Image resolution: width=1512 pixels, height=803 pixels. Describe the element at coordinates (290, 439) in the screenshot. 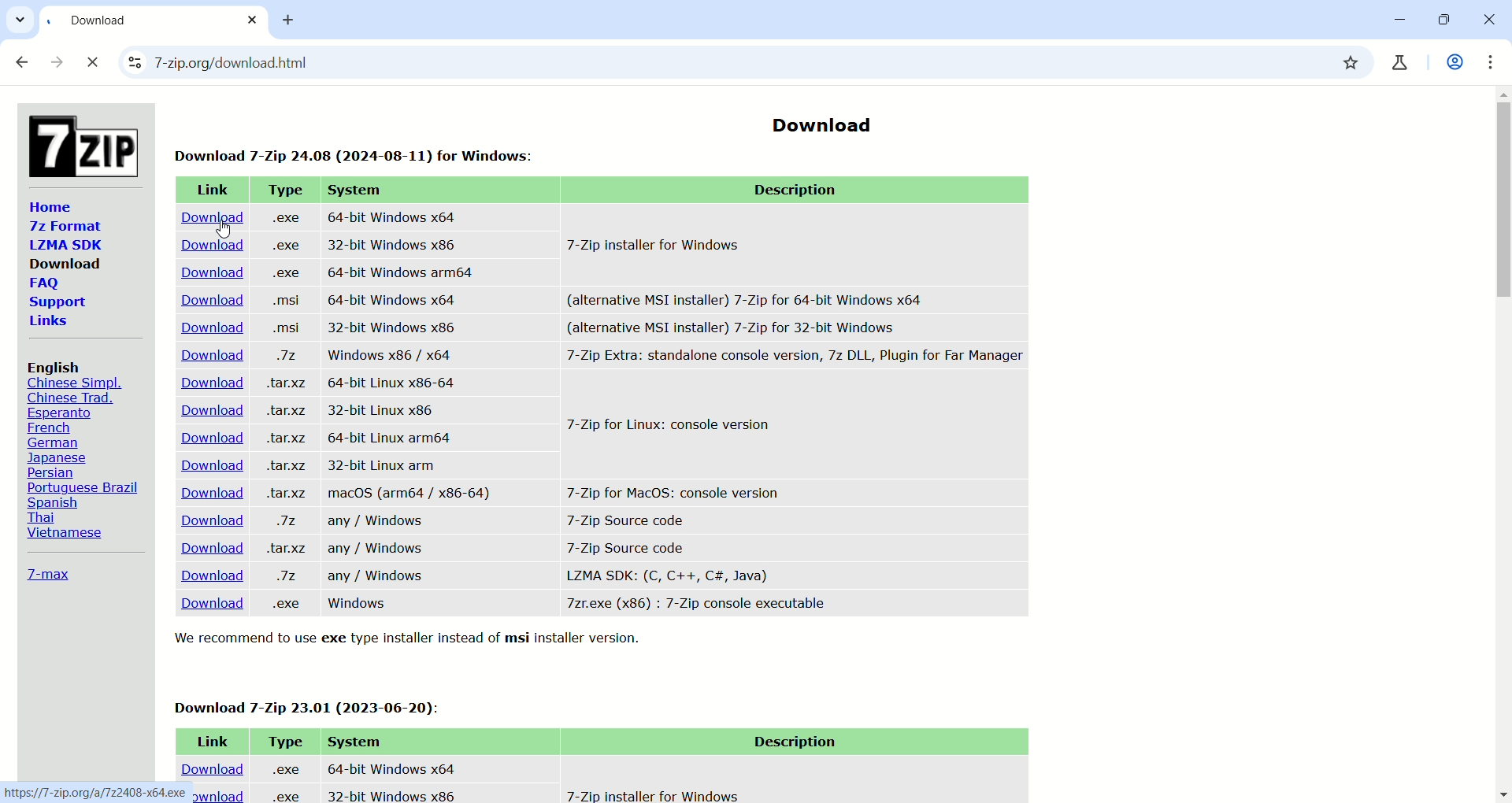

I see `.tarxz` at that location.